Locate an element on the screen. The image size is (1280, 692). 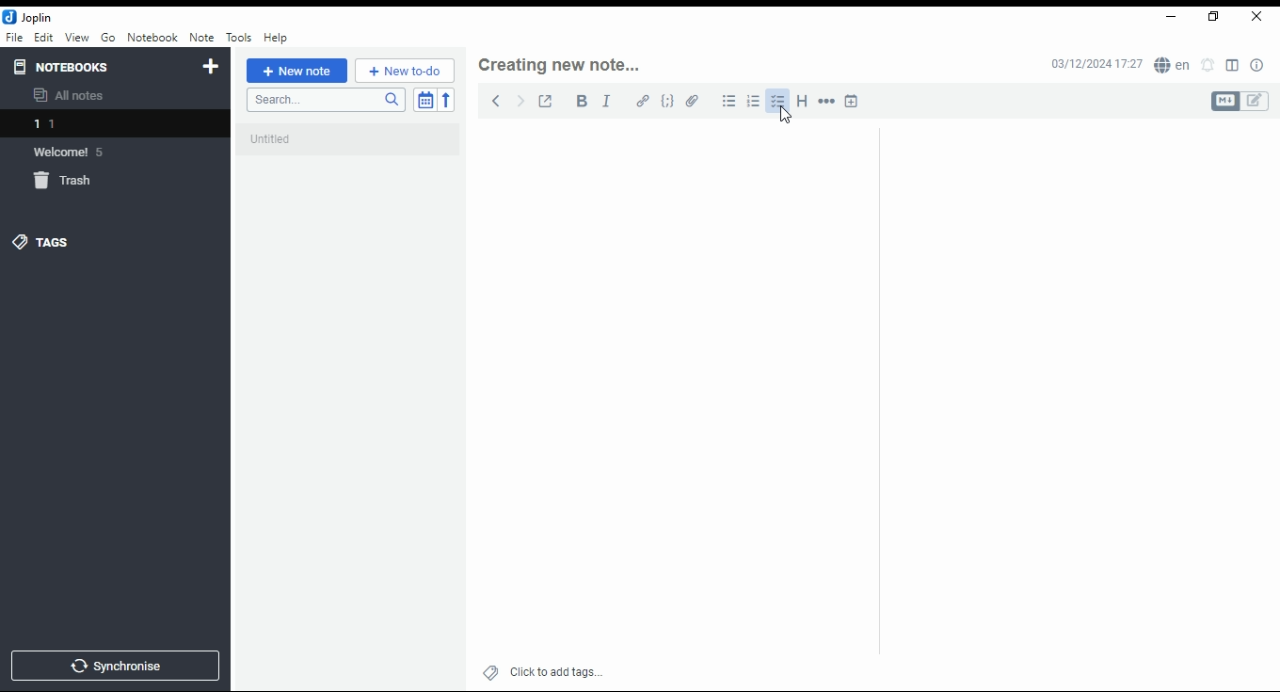
spell checker is located at coordinates (1175, 67).